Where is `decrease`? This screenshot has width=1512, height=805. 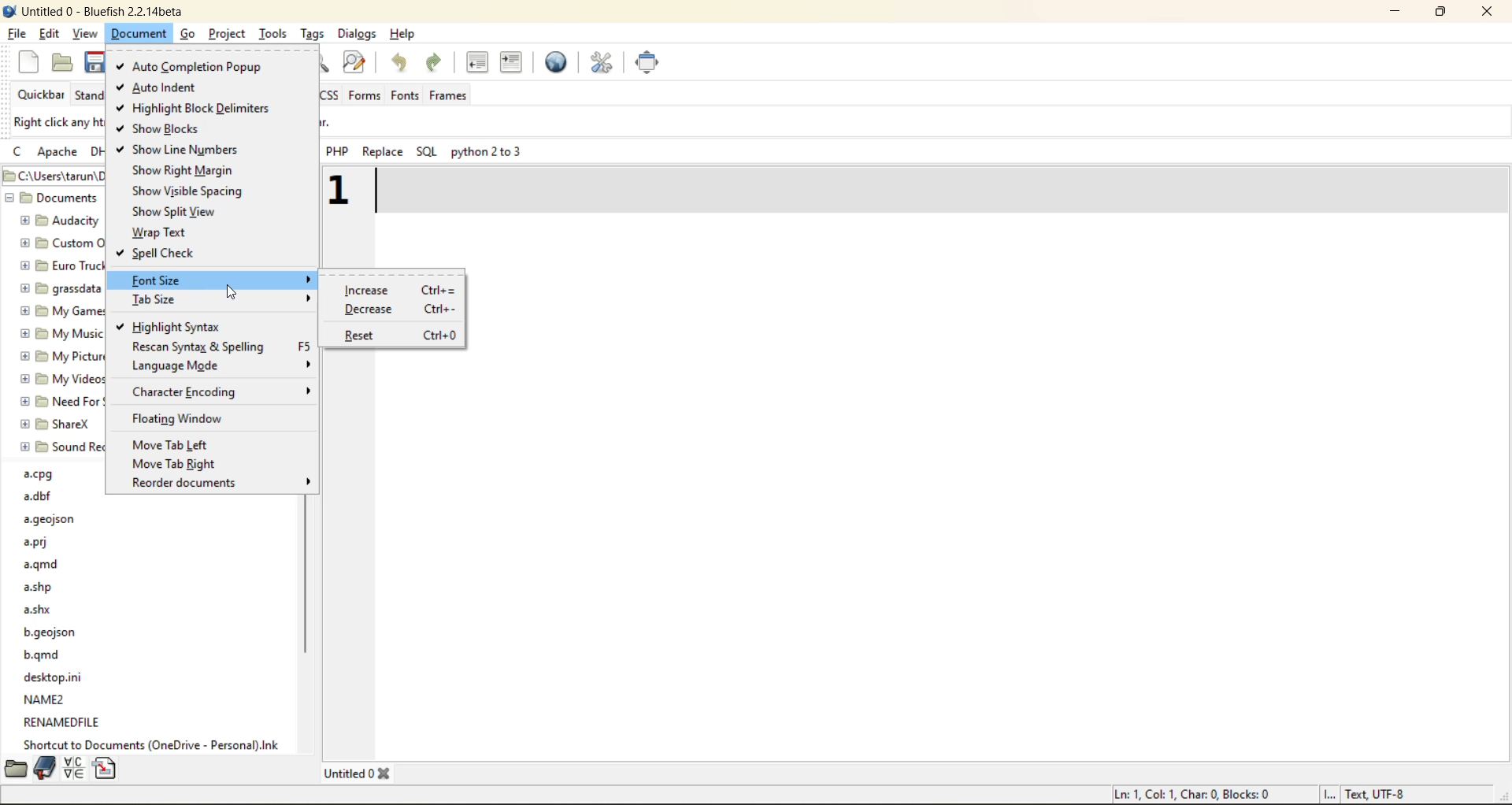 decrease is located at coordinates (406, 310).